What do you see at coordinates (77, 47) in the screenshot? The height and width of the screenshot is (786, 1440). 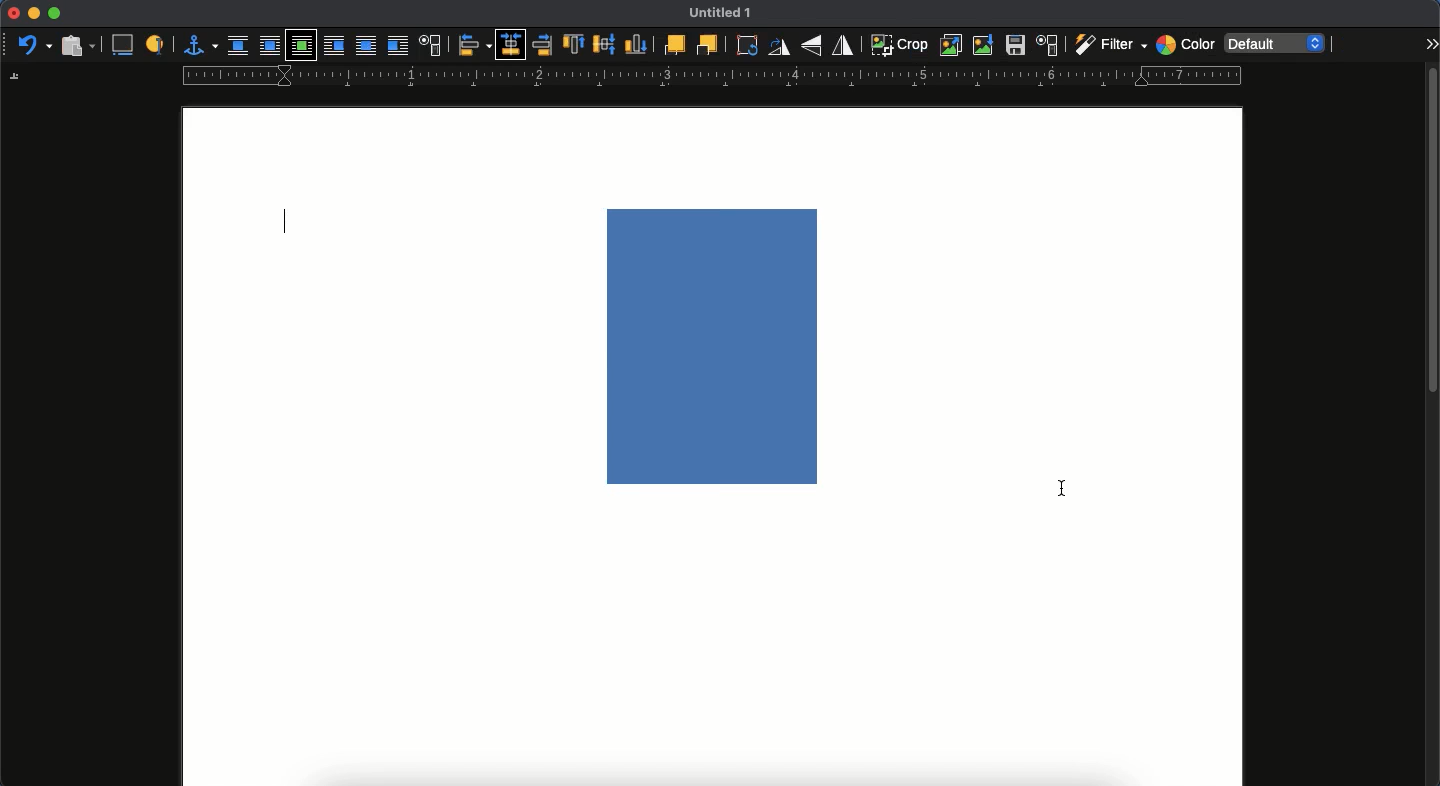 I see `paste` at bounding box center [77, 47].